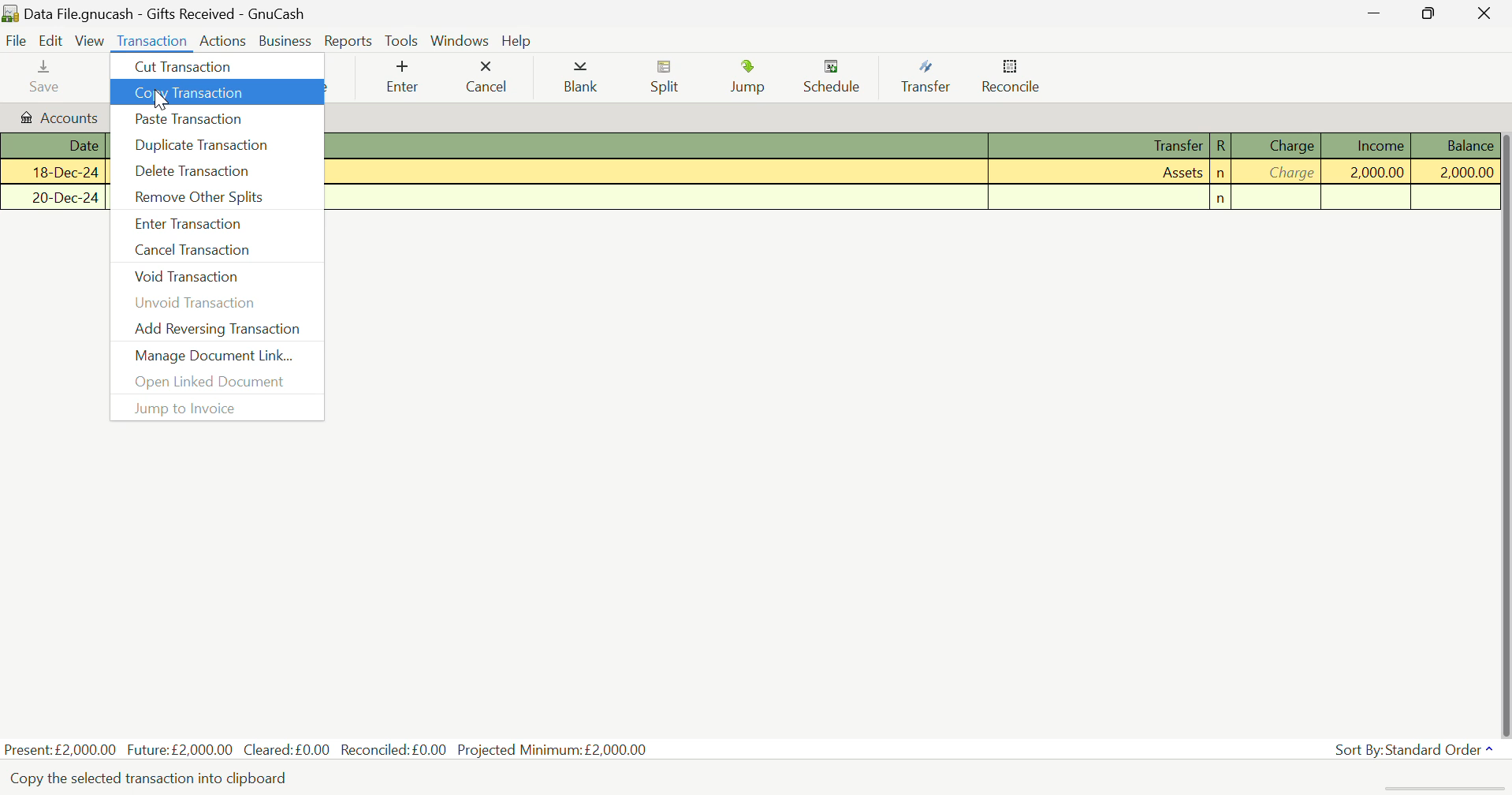  I want to click on Blank, so click(583, 78).